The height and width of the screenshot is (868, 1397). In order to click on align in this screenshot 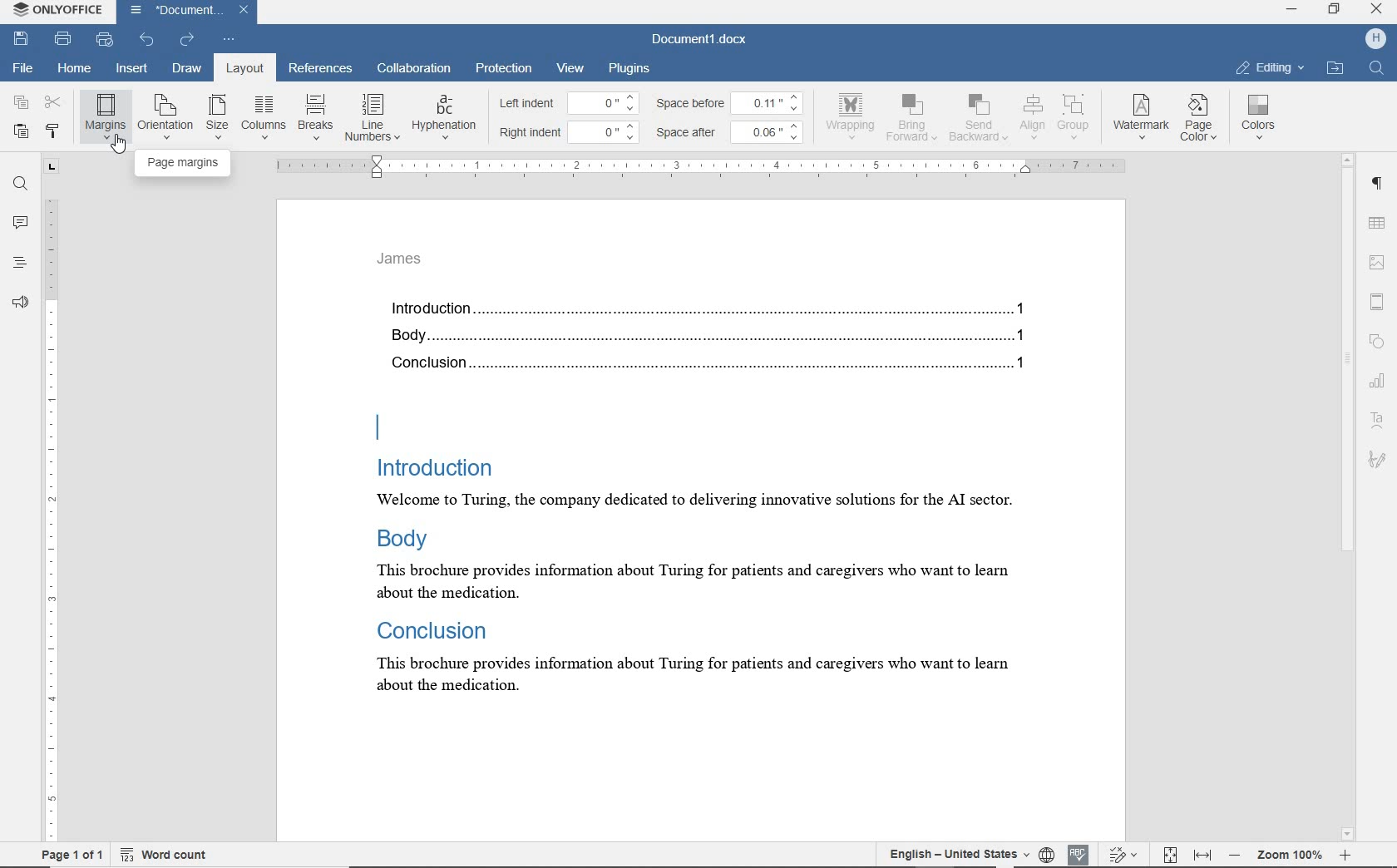, I will do `click(1030, 116)`.